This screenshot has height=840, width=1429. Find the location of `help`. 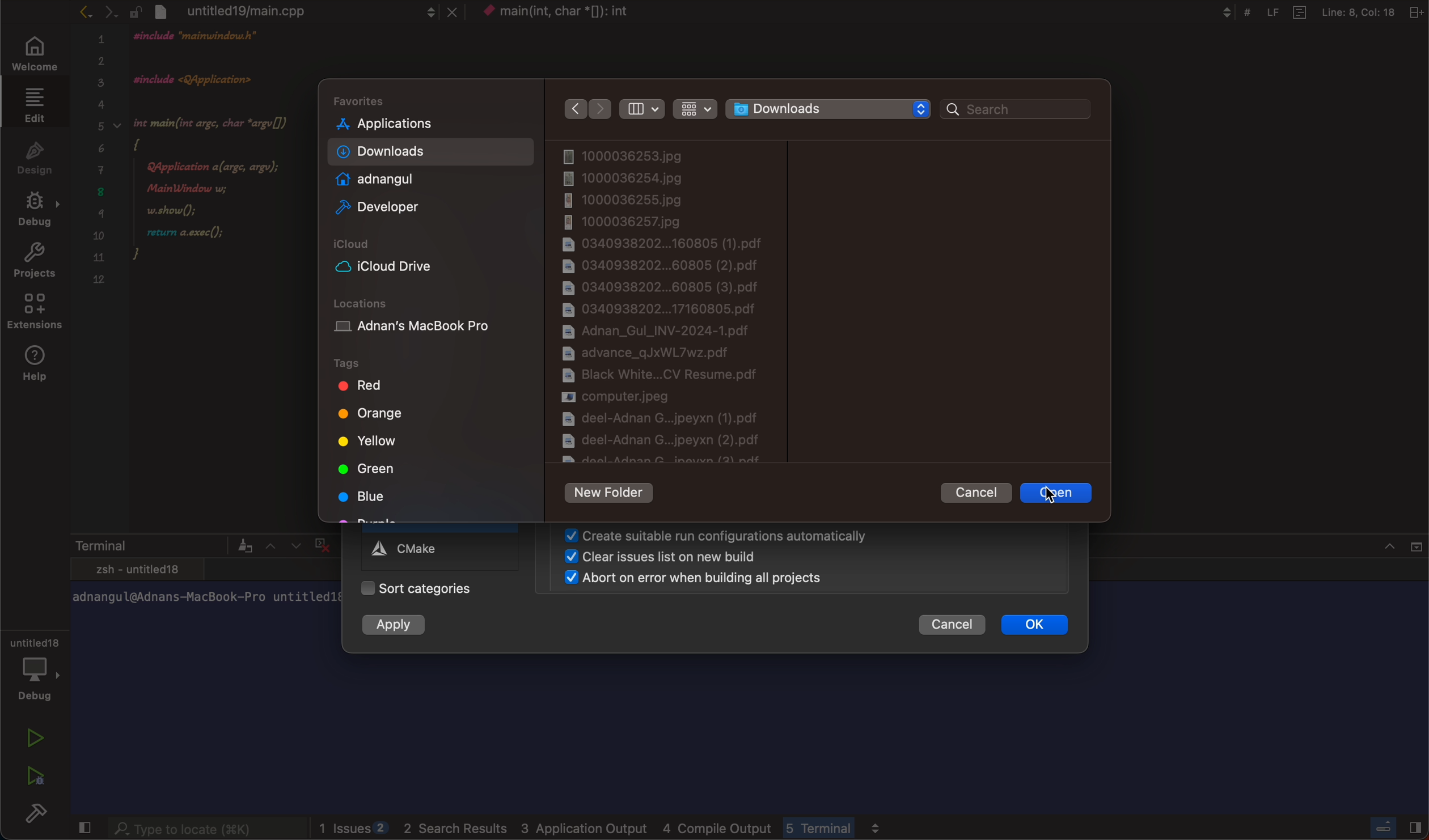

help is located at coordinates (40, 365).